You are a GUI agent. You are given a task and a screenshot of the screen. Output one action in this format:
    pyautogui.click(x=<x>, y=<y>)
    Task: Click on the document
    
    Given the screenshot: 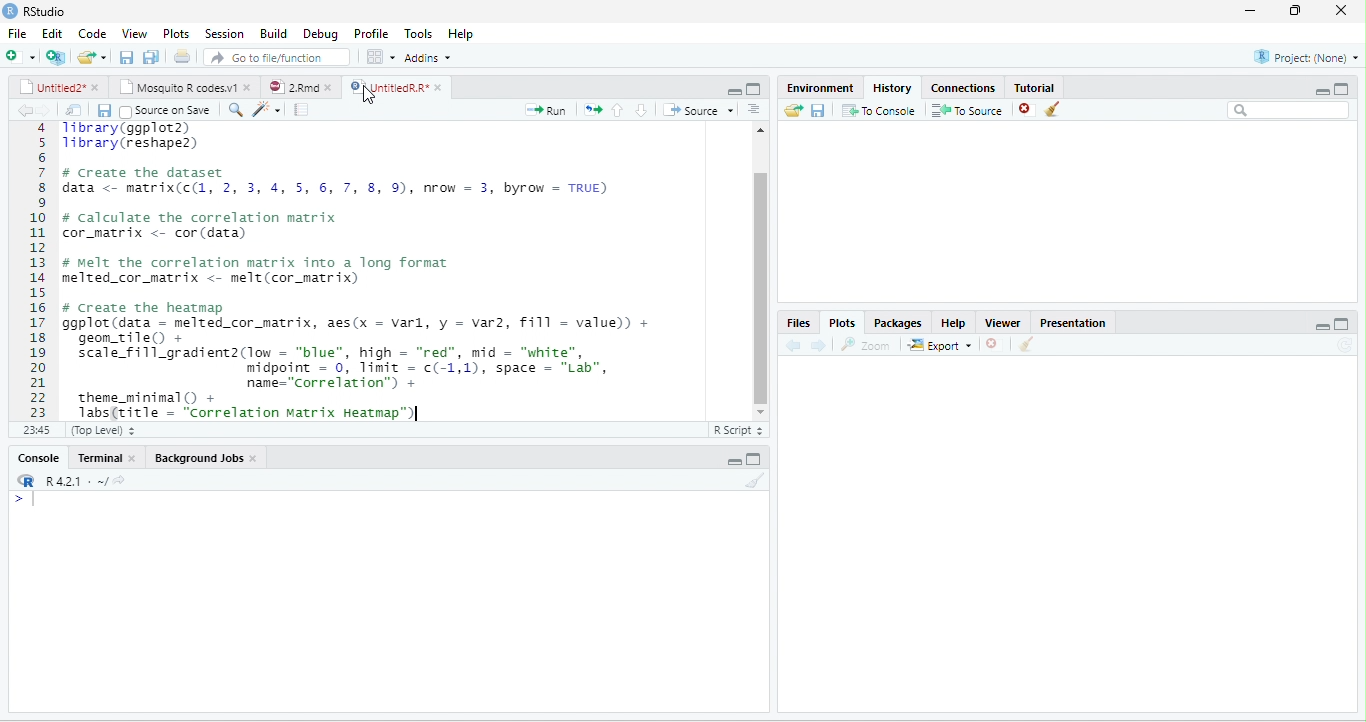 What is the action you would take?
    pyautogui.click(x=300, y=111)
    